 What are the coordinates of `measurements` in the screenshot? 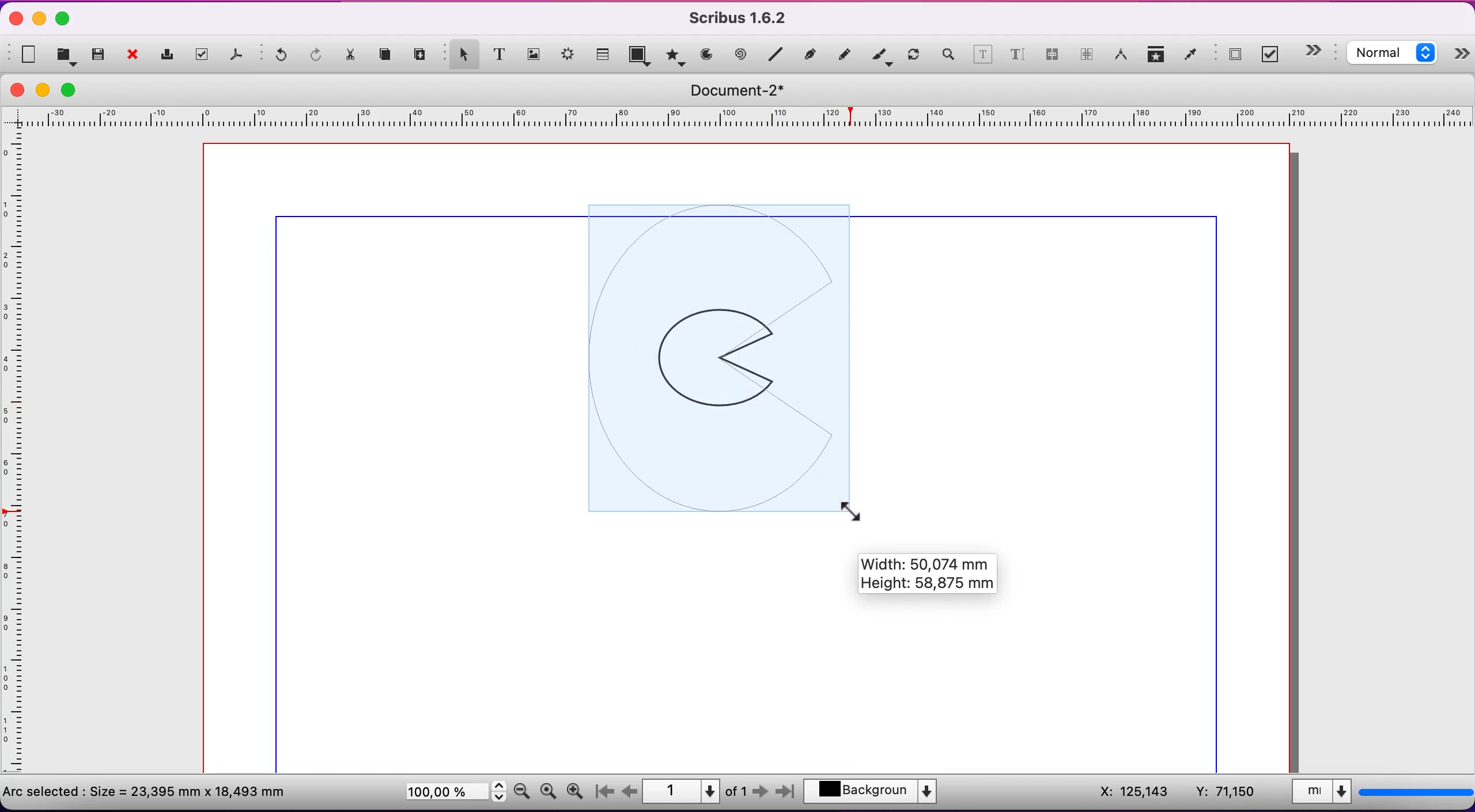 It's located at (1121, 56).